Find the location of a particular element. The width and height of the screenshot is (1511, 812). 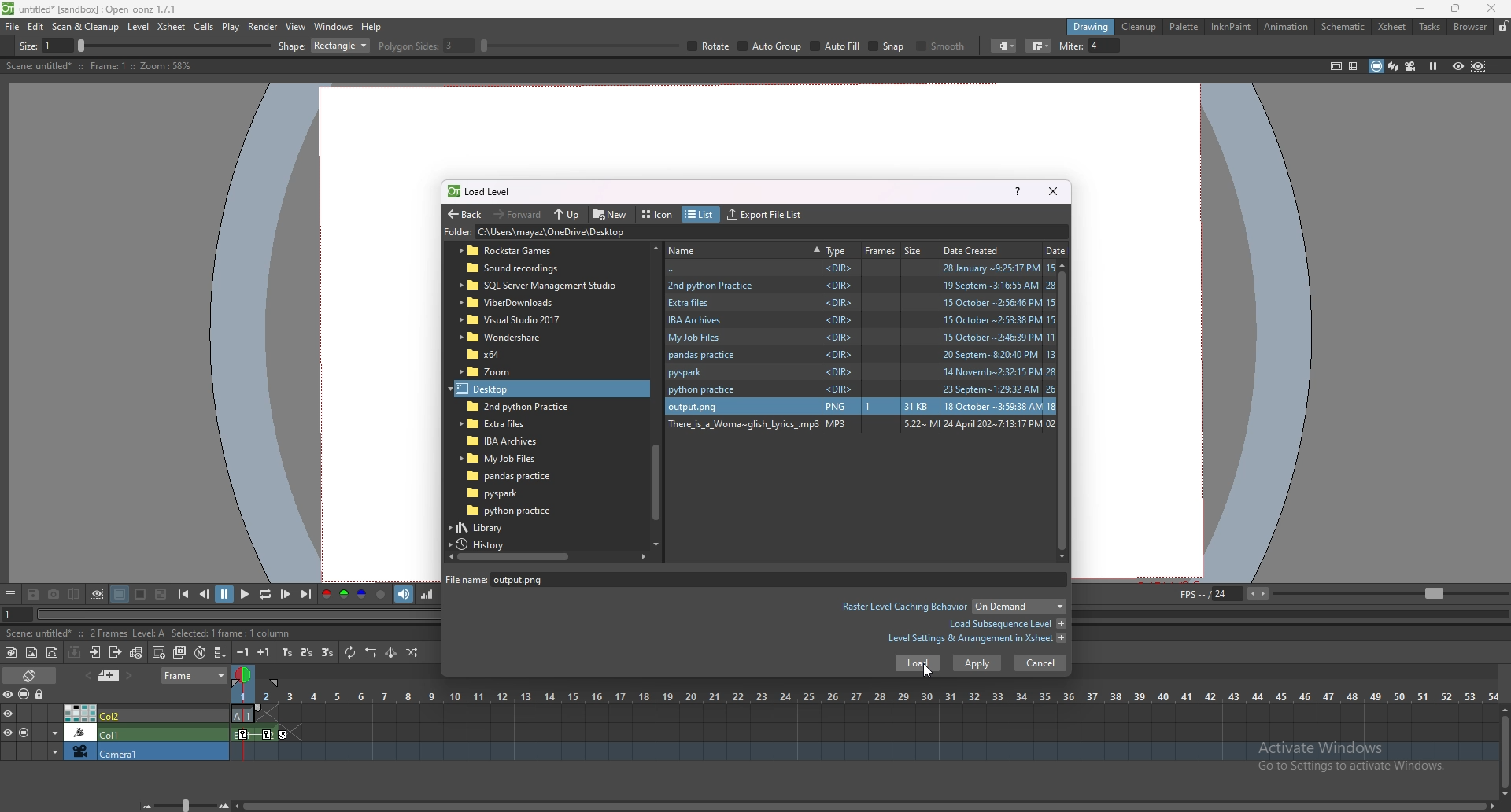

red channel is located at coordinates (325, 596).